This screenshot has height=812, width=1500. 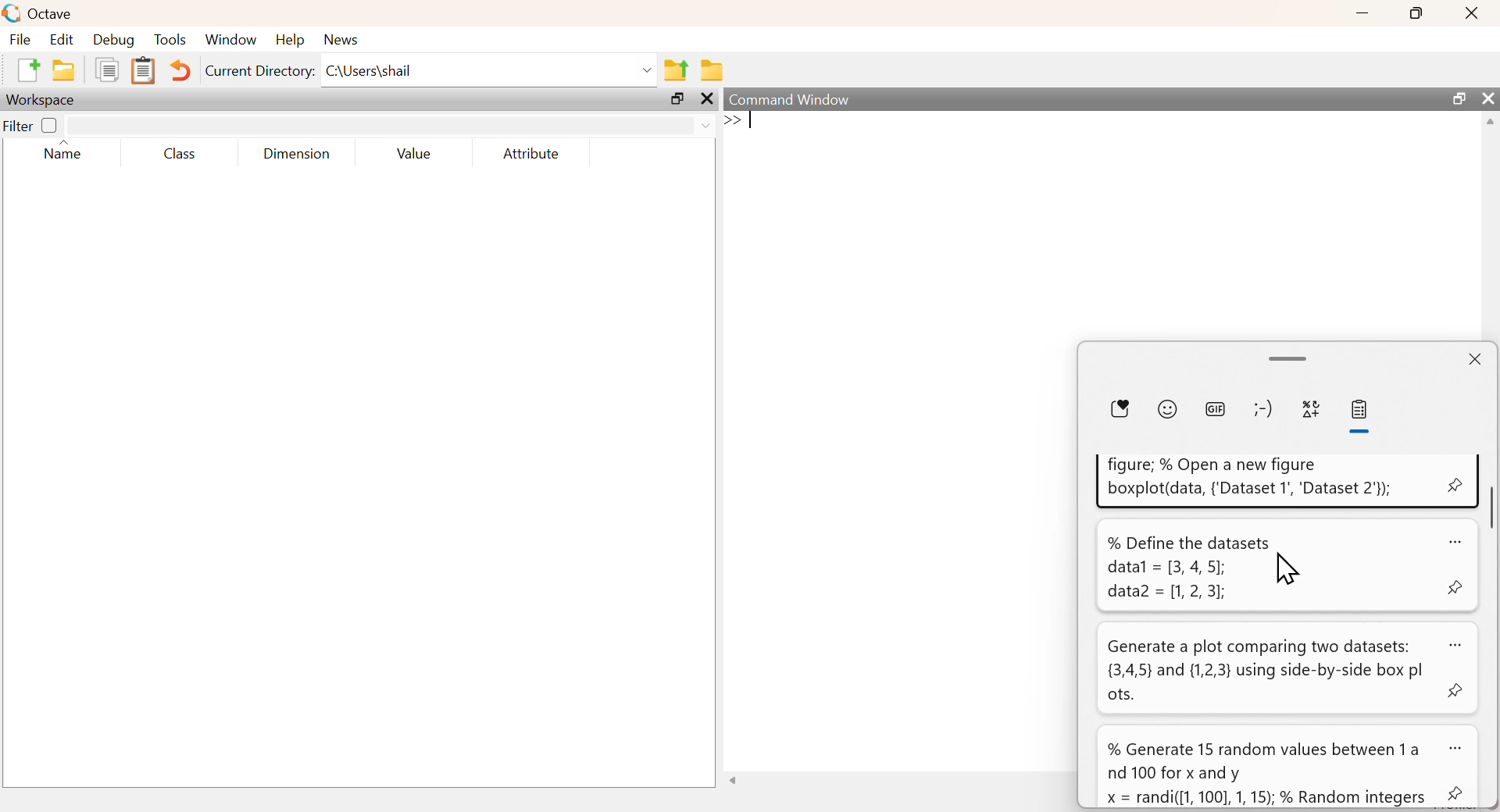 I want to click on maximize, so click(x=1417, y=12).